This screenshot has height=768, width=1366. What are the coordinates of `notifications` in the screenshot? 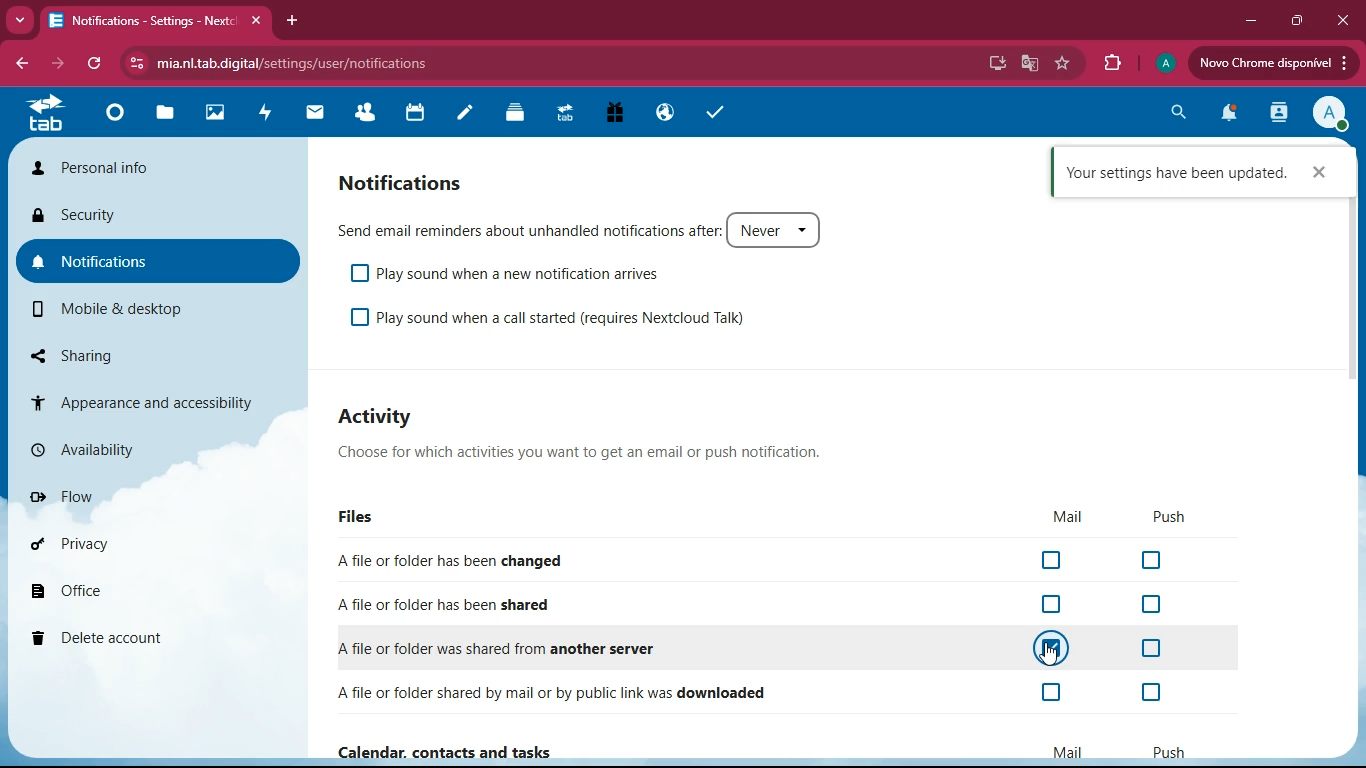 It's located at (400, 183).